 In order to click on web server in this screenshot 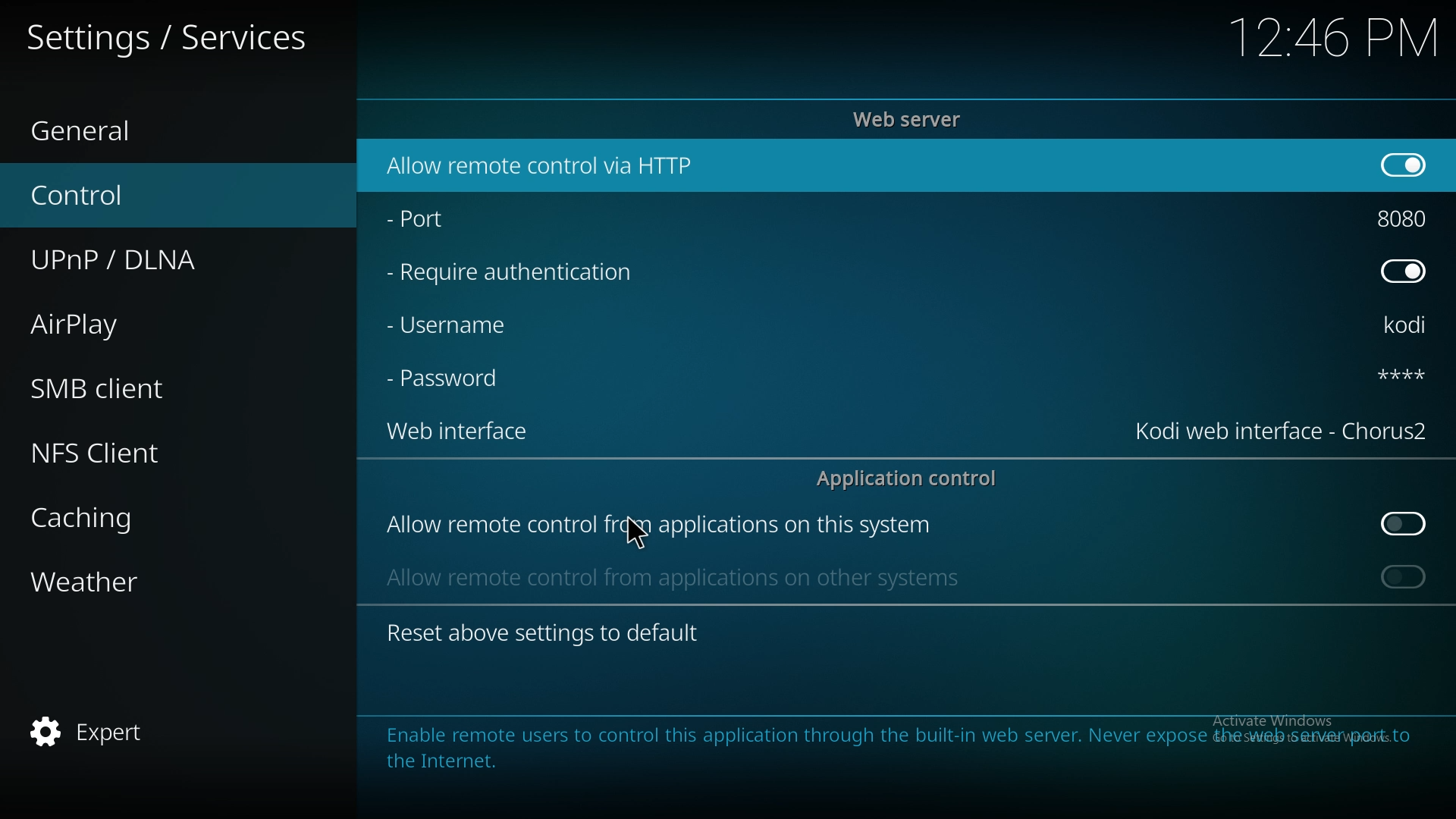, I will do `click(912, 119)`.